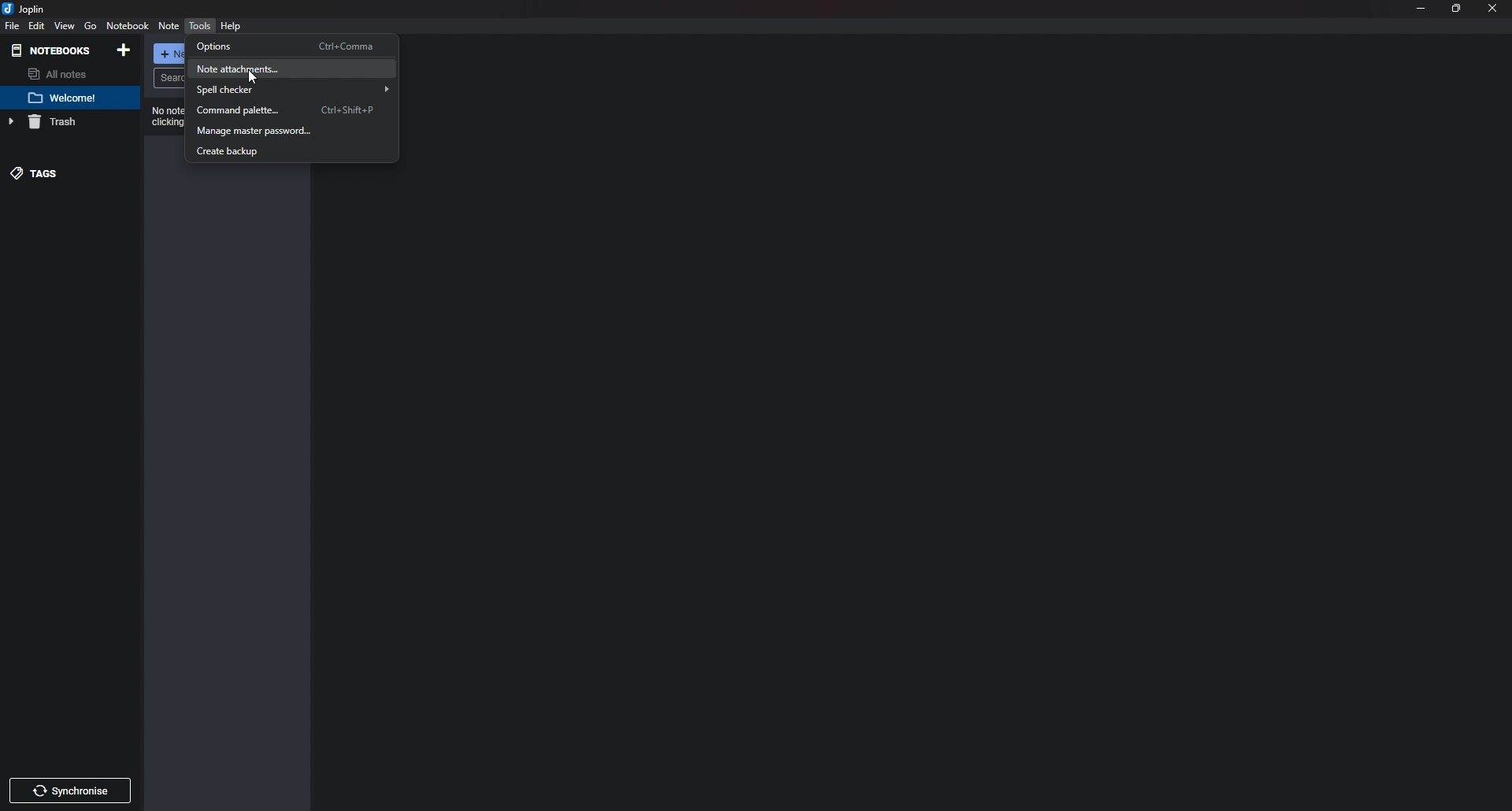 The image size is (1512, 811). I want to click on Resize, so click(1458, 9).